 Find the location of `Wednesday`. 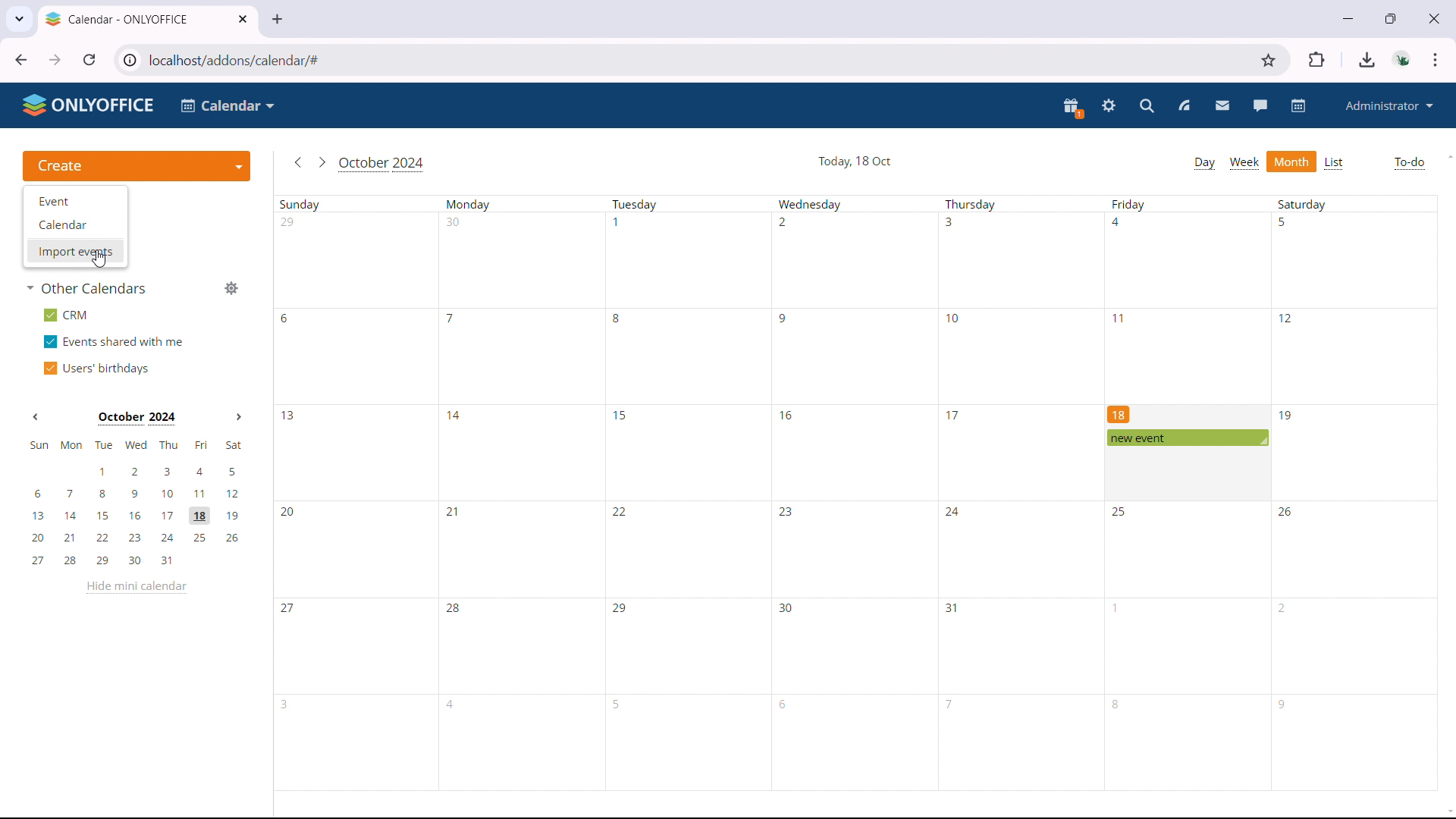

Wednesday is located at coordinates (810, 205).